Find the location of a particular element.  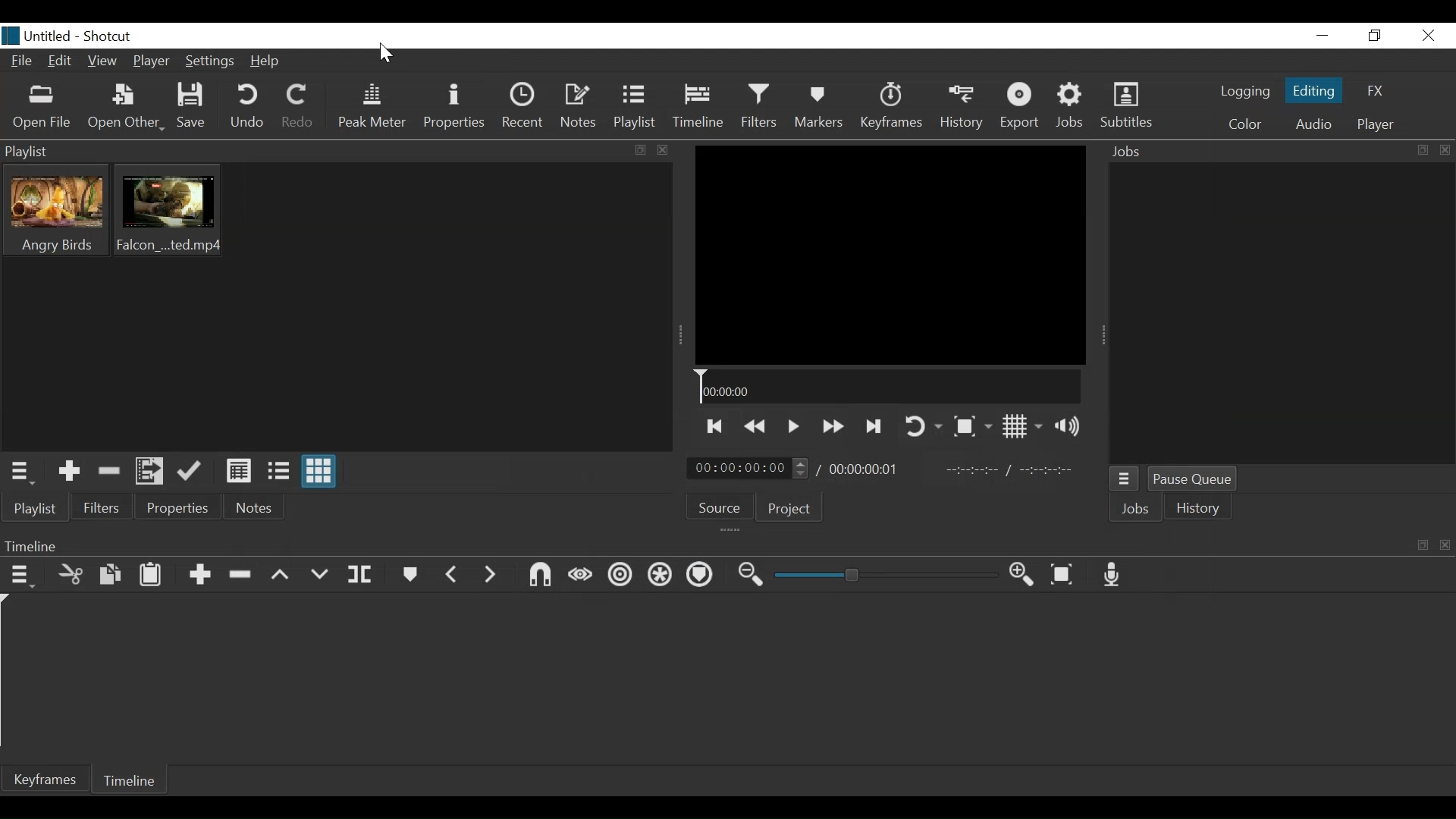

Playlist Panel is located at coordinates (337, 150).